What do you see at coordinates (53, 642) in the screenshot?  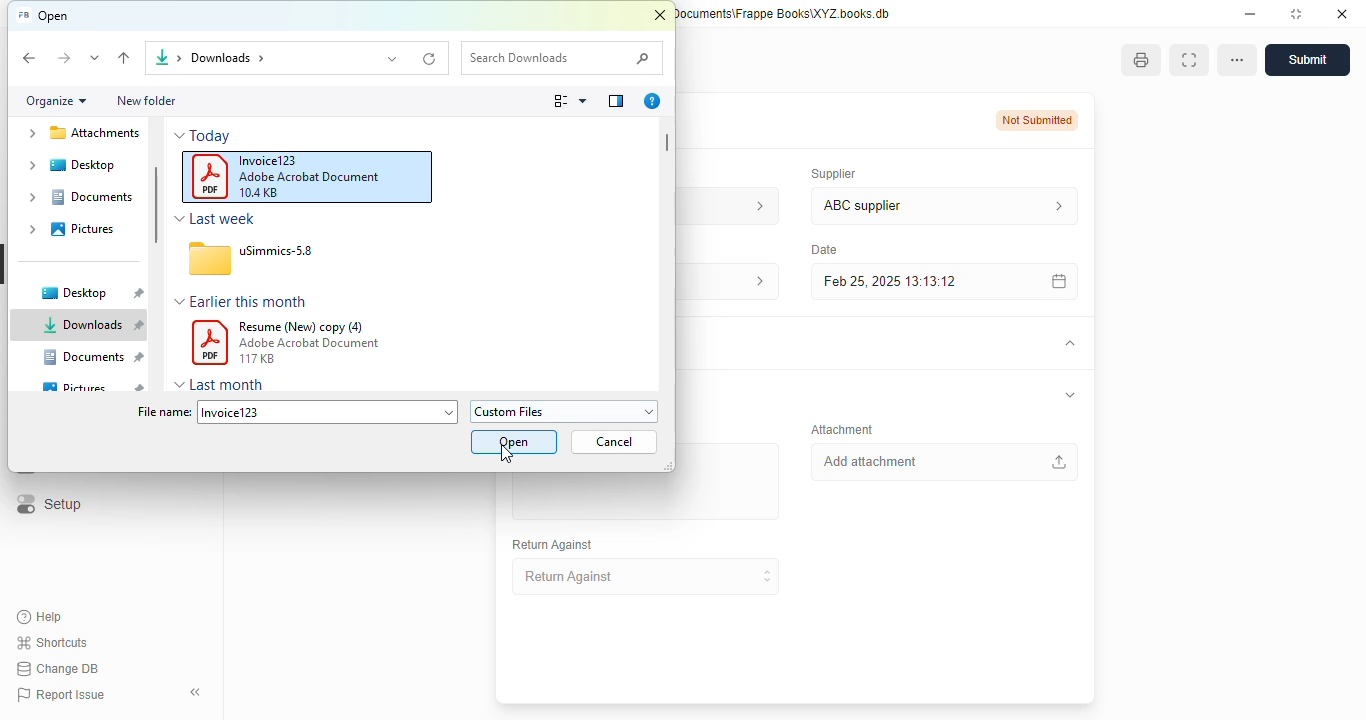 I see `shortcuts` at bounding box center [53, 642].